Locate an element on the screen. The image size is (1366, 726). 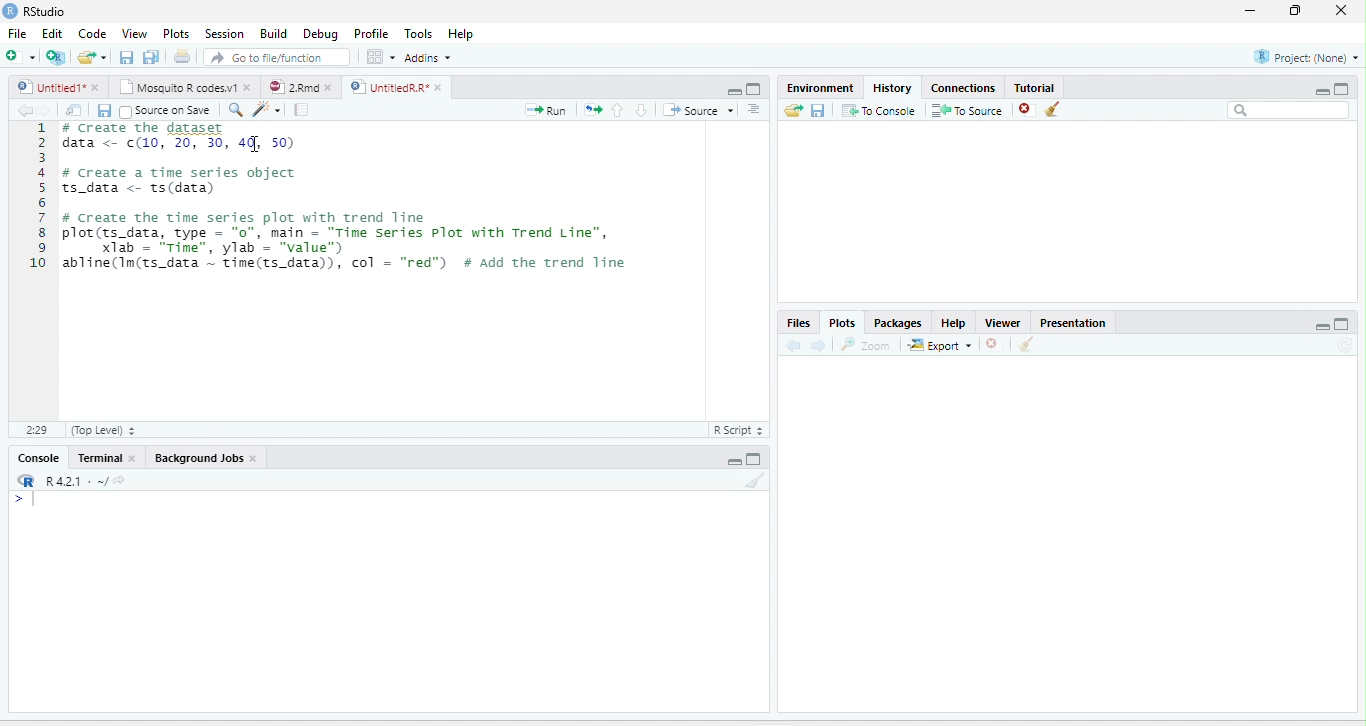
Source is located at coordinates (698, 110).